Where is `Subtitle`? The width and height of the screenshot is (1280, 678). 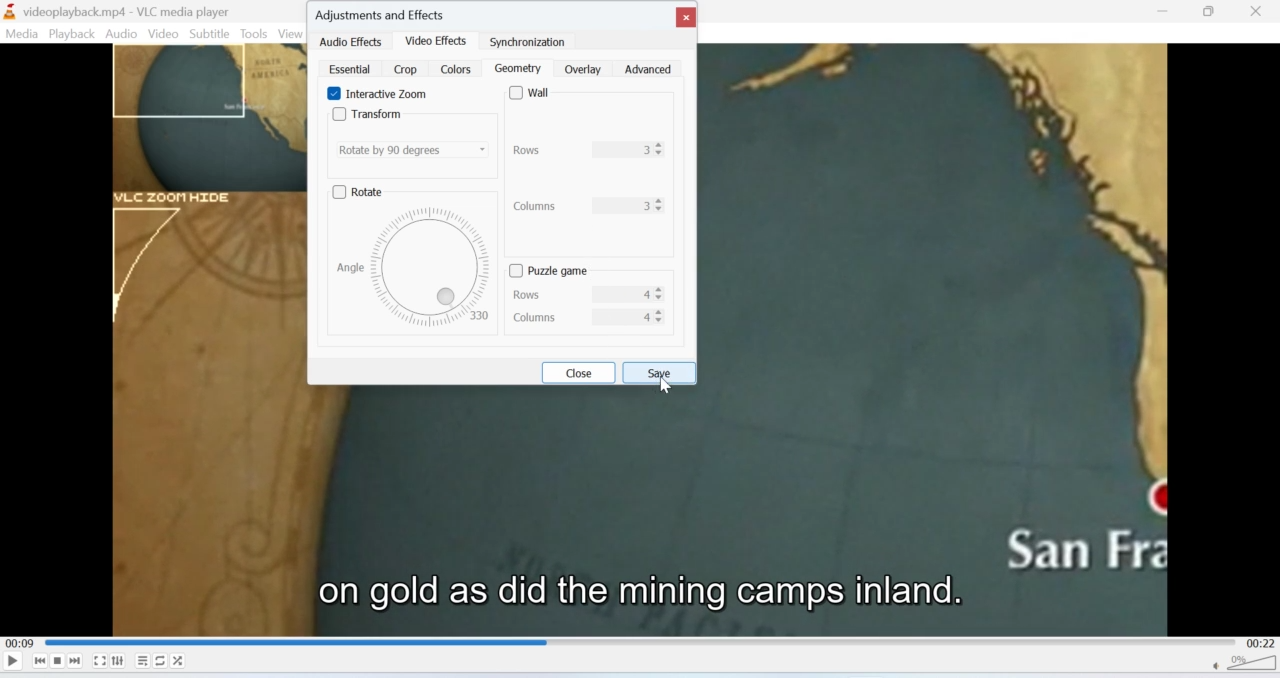 Subtitle is located at coordinates (210, 33).